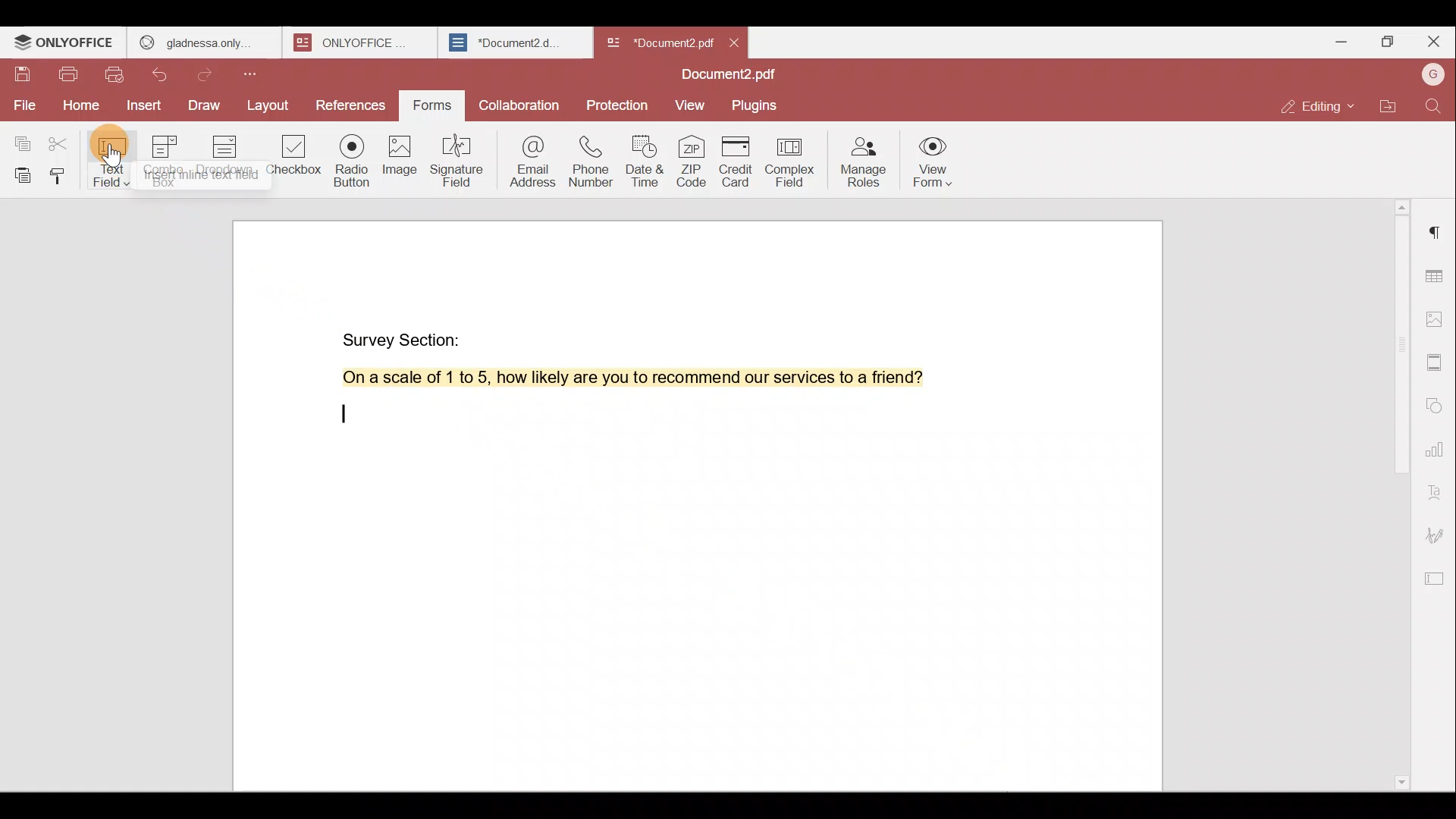  What do you see at coordinates (256, 74) in the screenshot?
I see `Customize quick access toolbar` at bounding box center [256, 74].